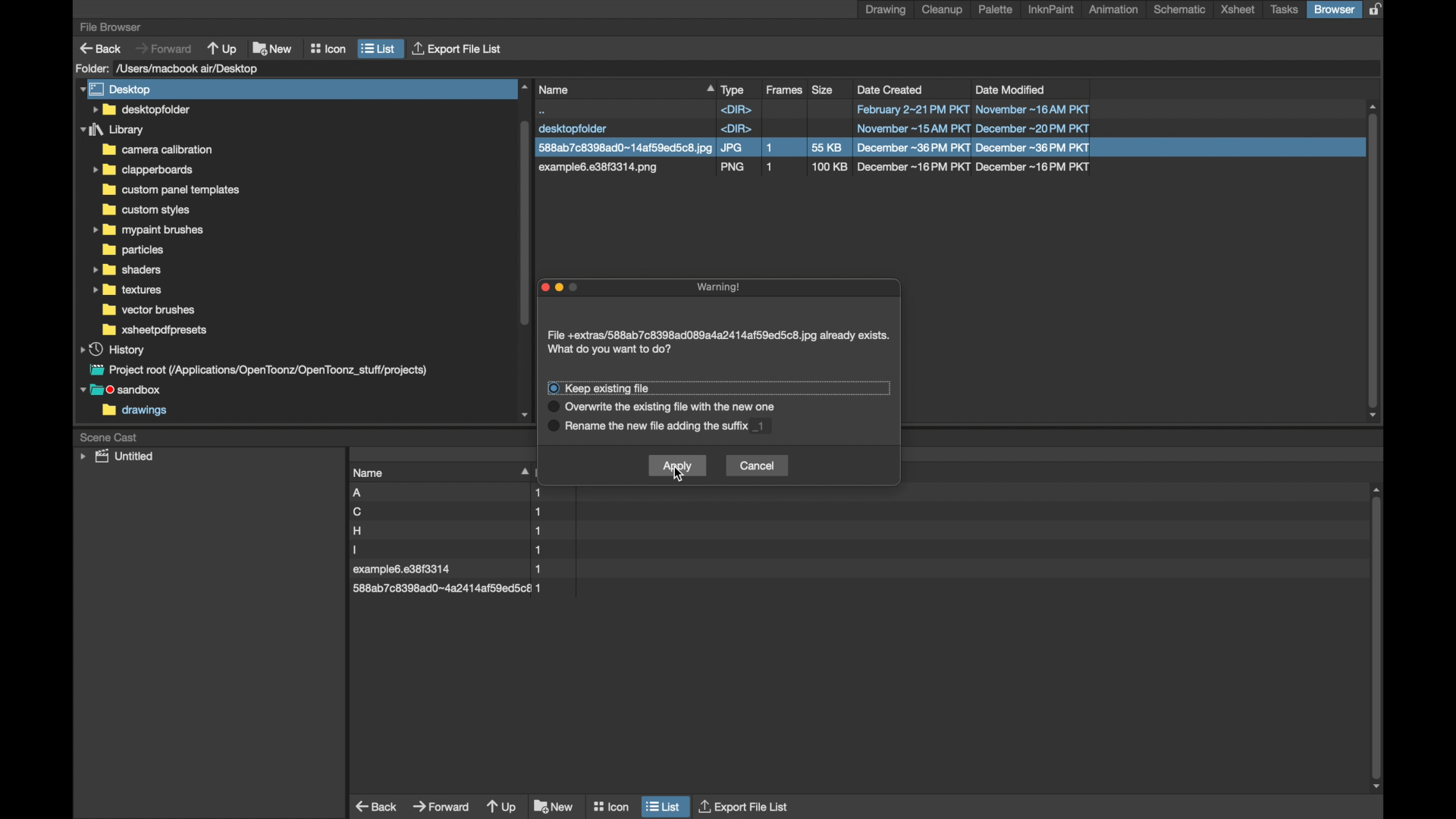 This screenshot has height=819, width=1456. I want to click on info, so click(719, 343).